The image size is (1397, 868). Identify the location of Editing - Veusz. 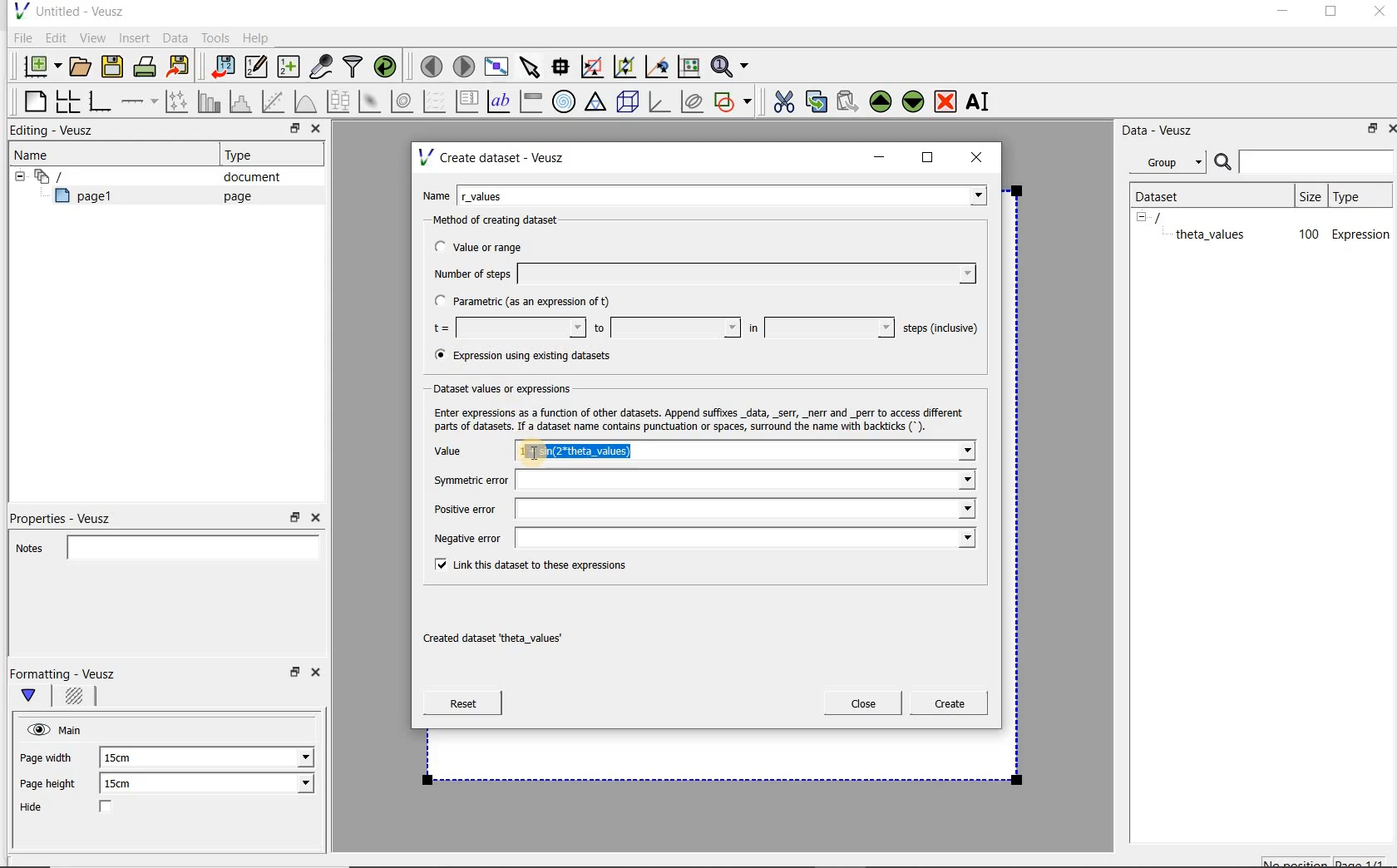
(56, 131).